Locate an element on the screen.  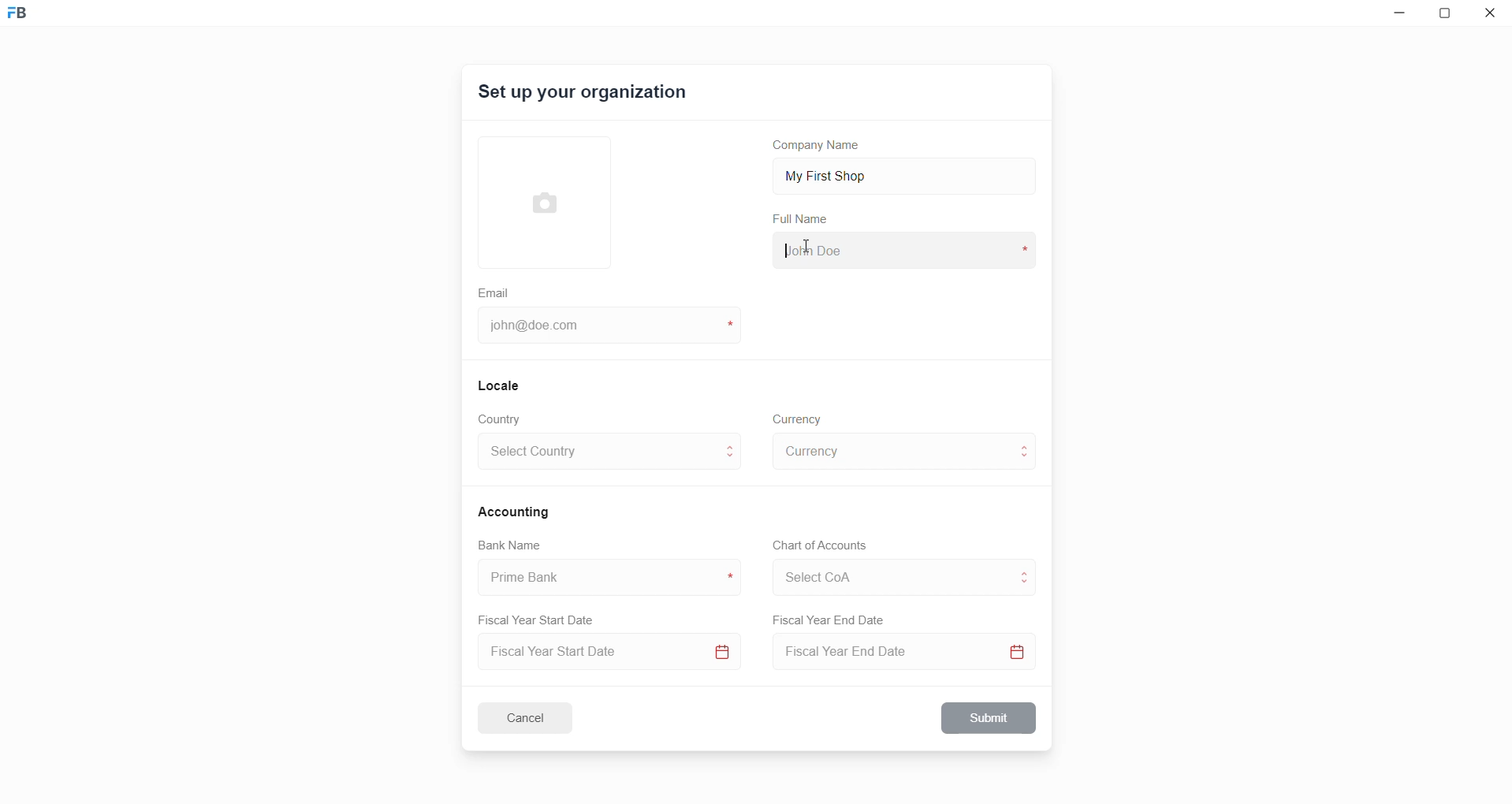
Cancel  is located at coordinates (535, 717).